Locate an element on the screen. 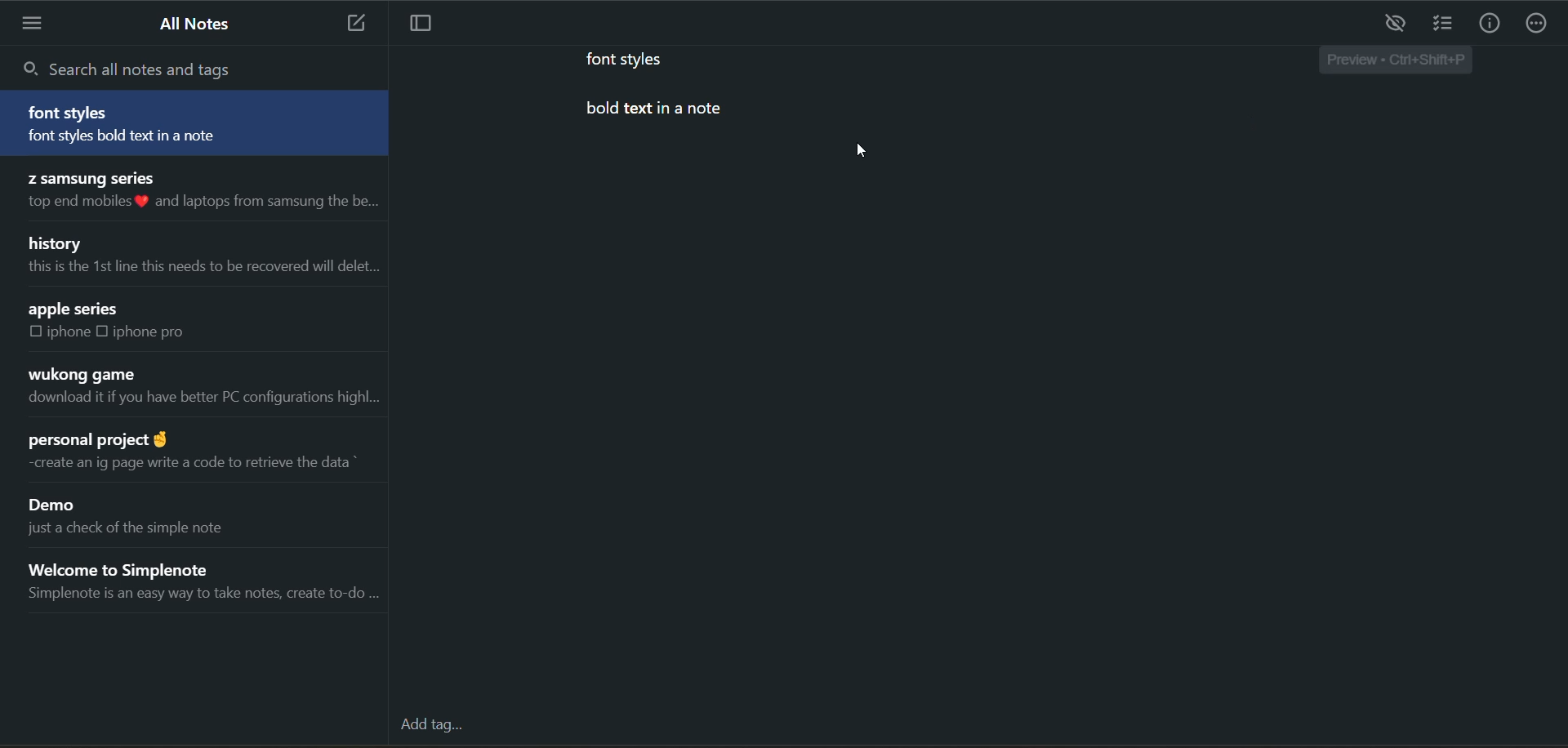 The height and width of the screenshot is (748, 1568). history is located at coordinates (58, 242).